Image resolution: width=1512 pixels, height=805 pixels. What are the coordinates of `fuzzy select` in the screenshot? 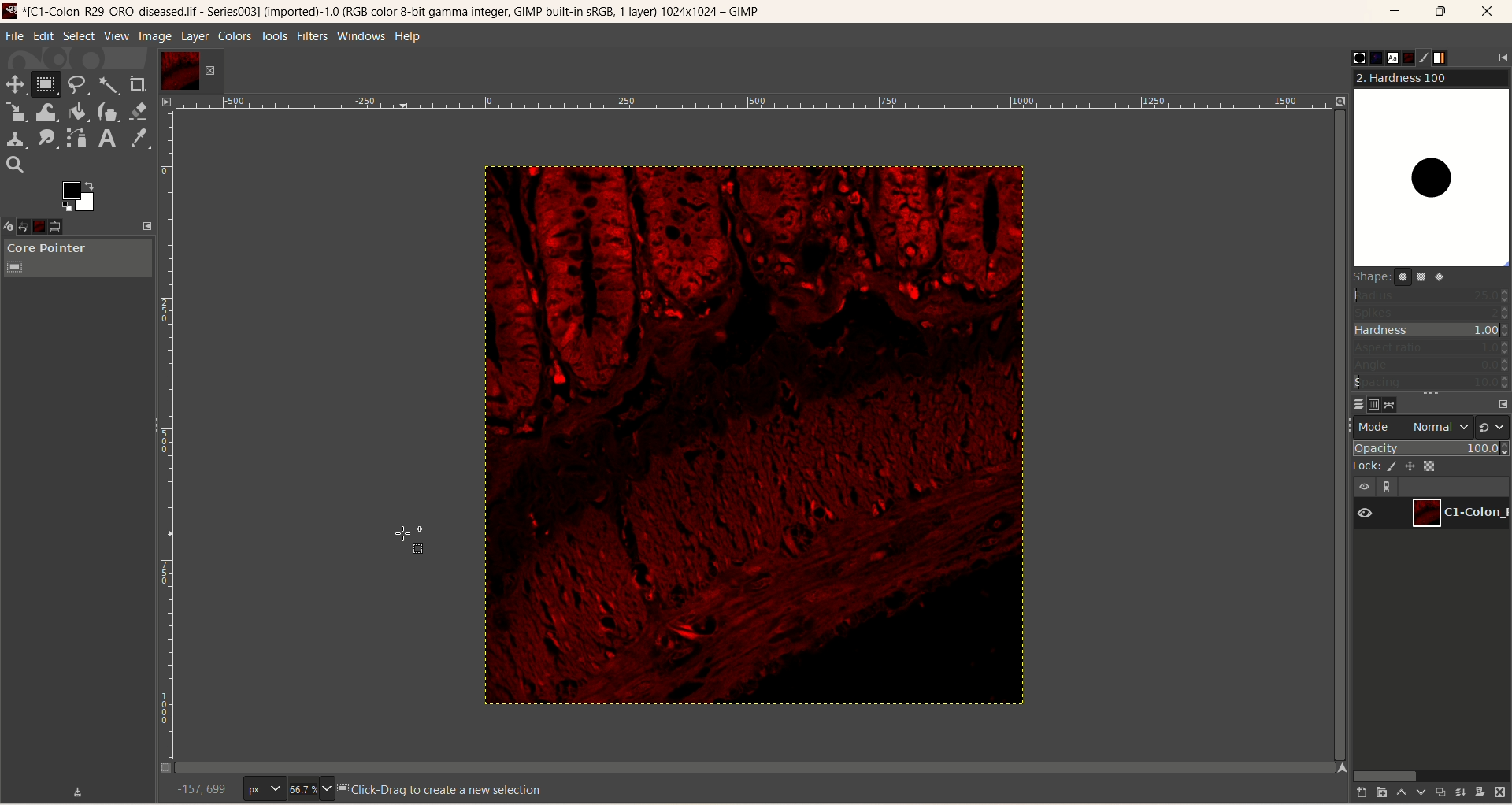 It's located at (107, 87).